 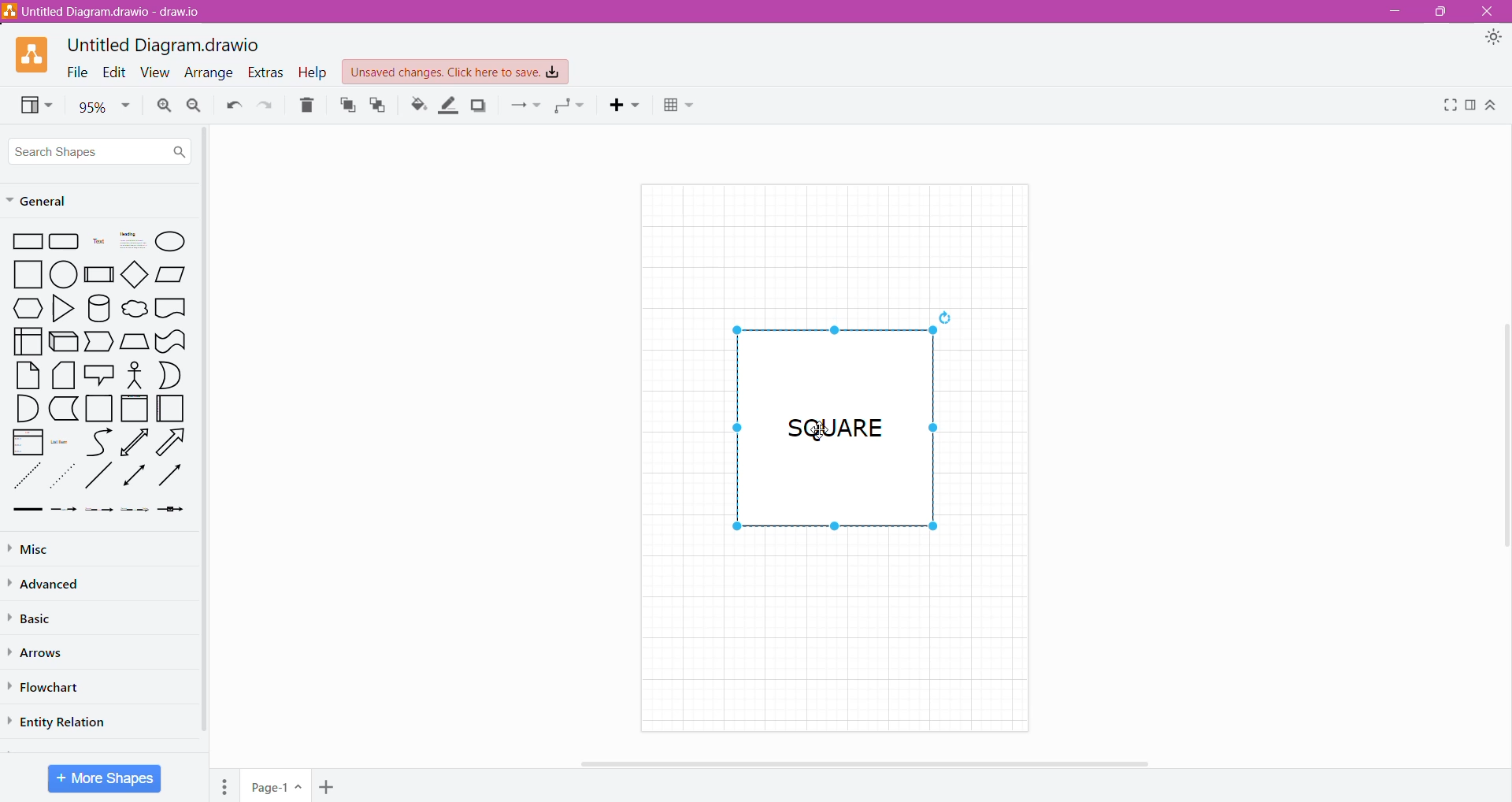 What do you see at coordinates (100, 512) in the screenshot?
I see `Thin Arrow` at bounding box center [100, 512].